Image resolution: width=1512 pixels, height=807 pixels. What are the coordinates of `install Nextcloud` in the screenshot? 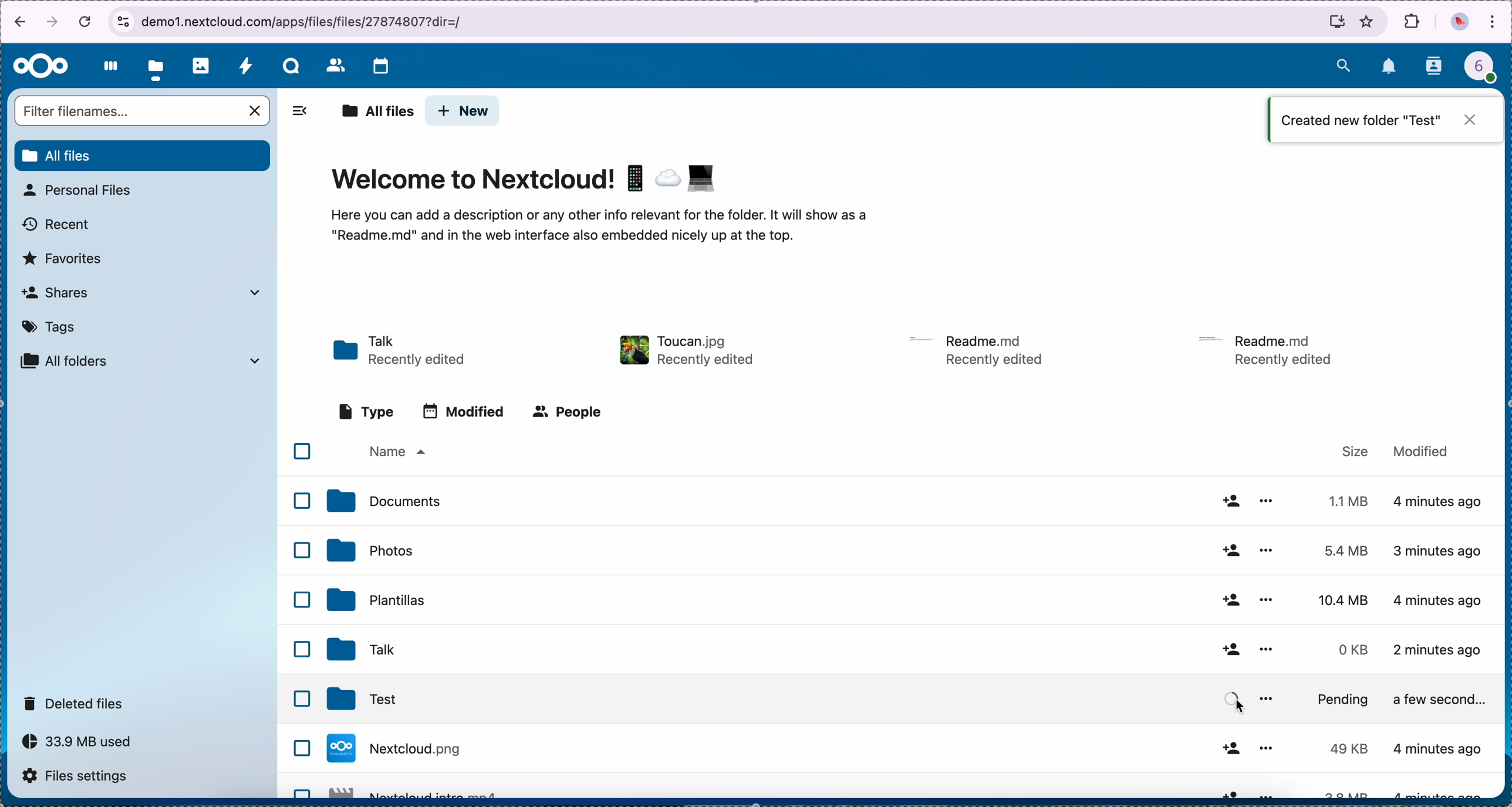 It's located at (1337, 24).